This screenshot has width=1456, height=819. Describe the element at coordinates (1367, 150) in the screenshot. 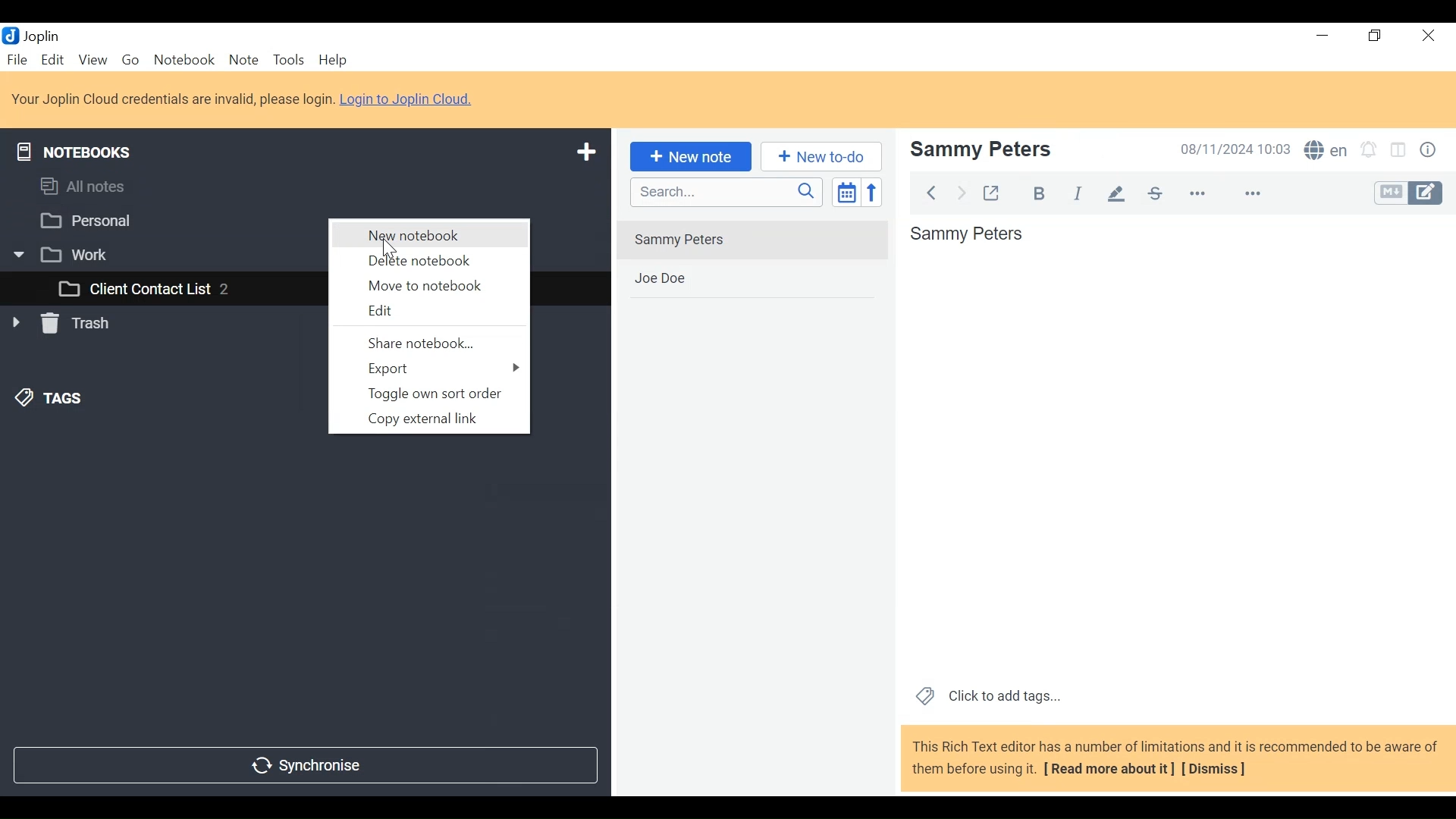

I see `set alarm` at that location.